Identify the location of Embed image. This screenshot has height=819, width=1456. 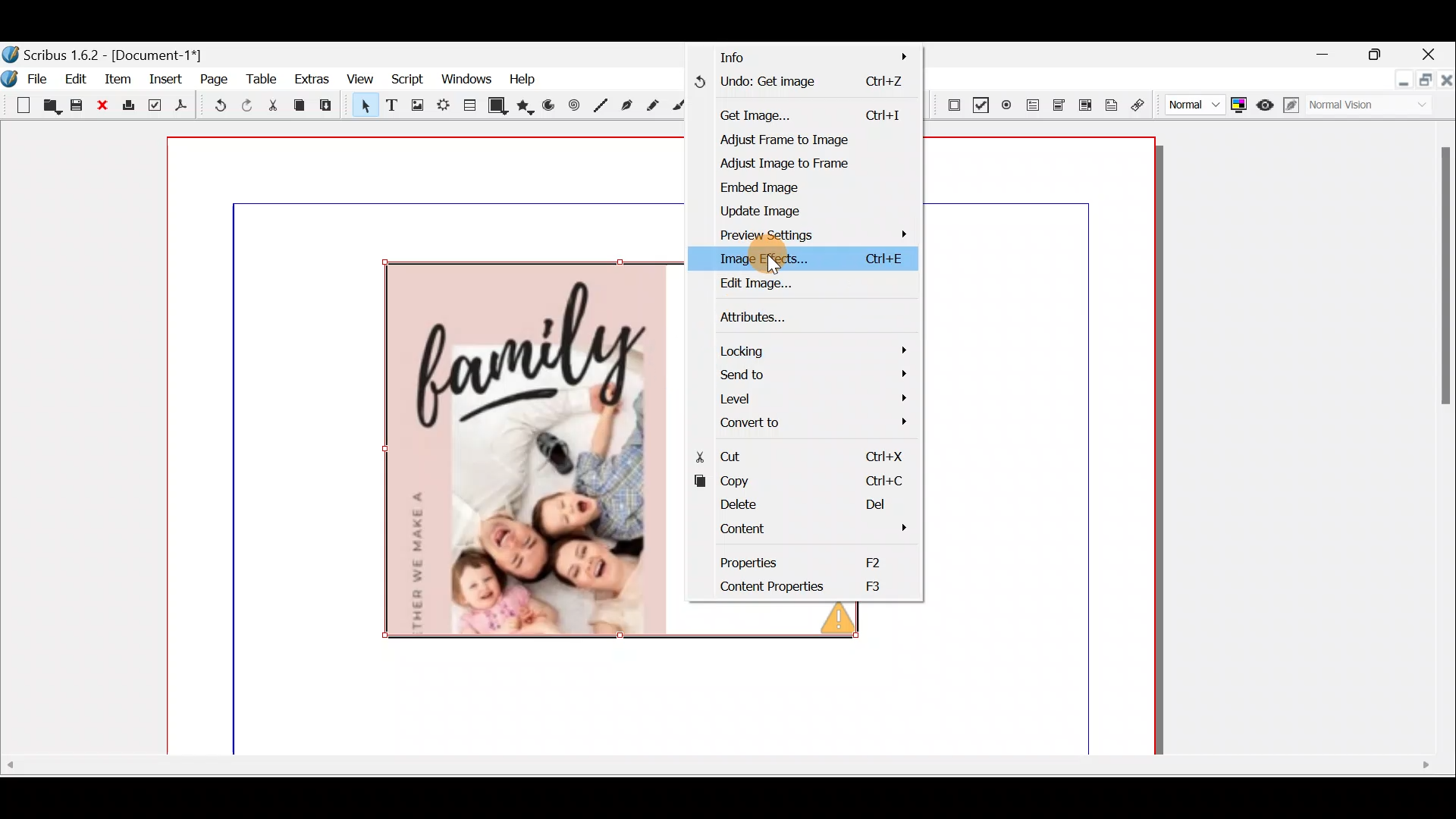
(795, 189).